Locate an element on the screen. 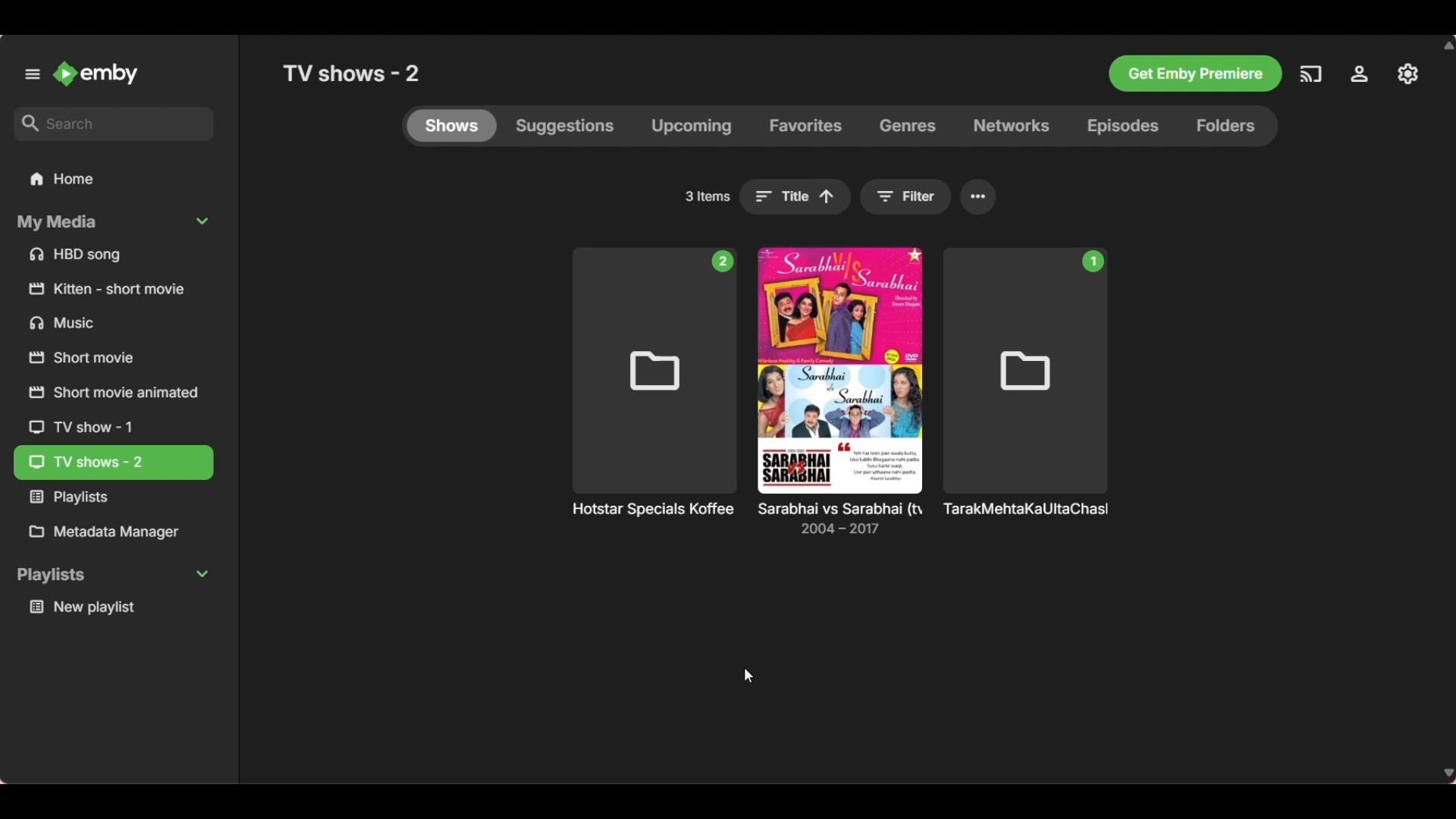   is located at coordinates (1194, 73).